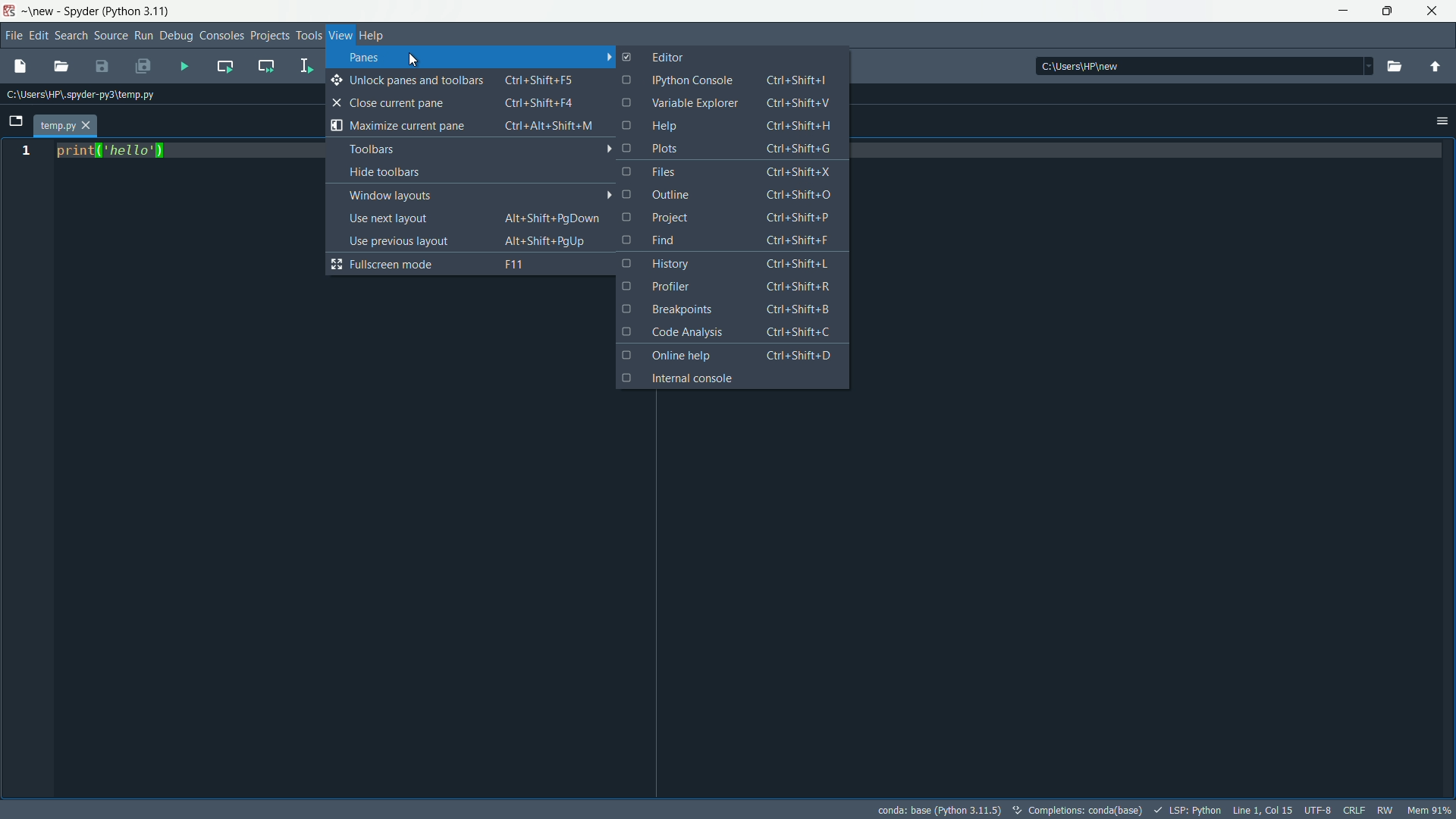 This screenshot has width=1456, height=819. What do you see at coordinates (730, 103) in the screenshot?
I see `variable explorer` at bounding box center [730, 103].